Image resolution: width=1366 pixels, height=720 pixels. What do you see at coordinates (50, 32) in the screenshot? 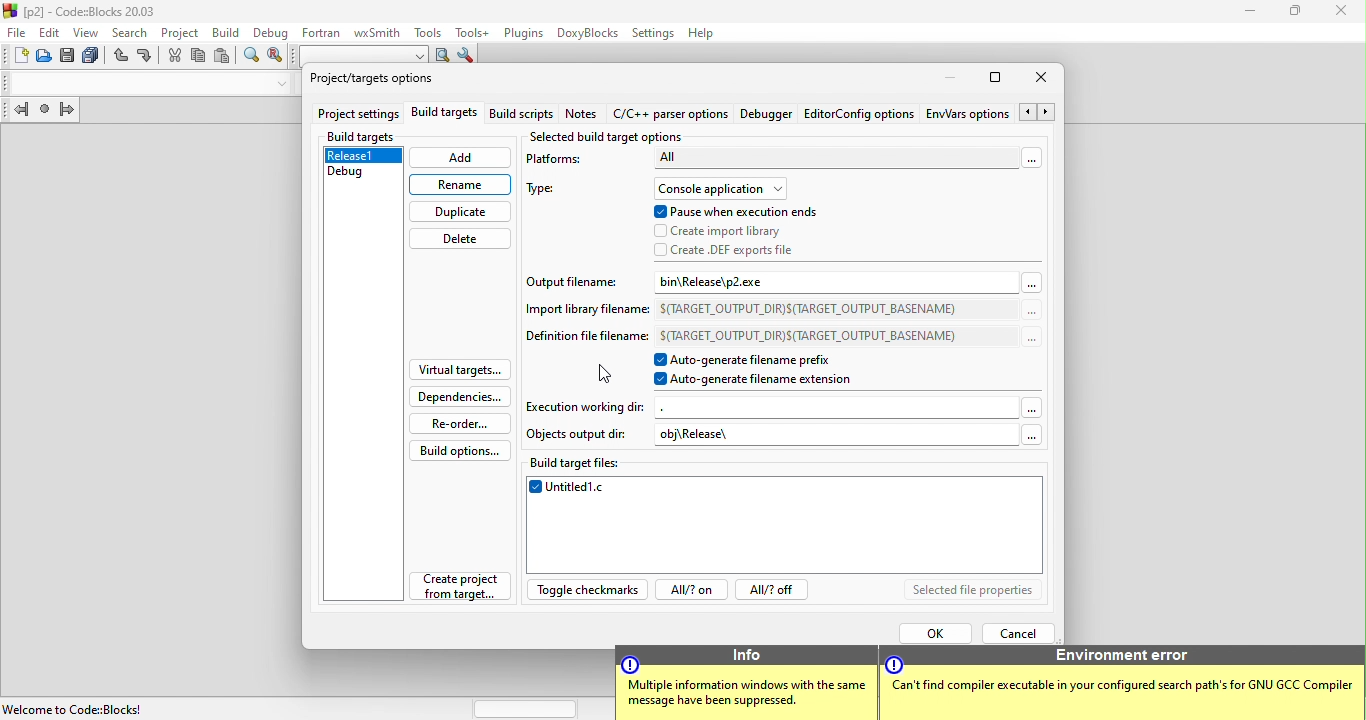
I see `edit` at bounding box center [50, 32].